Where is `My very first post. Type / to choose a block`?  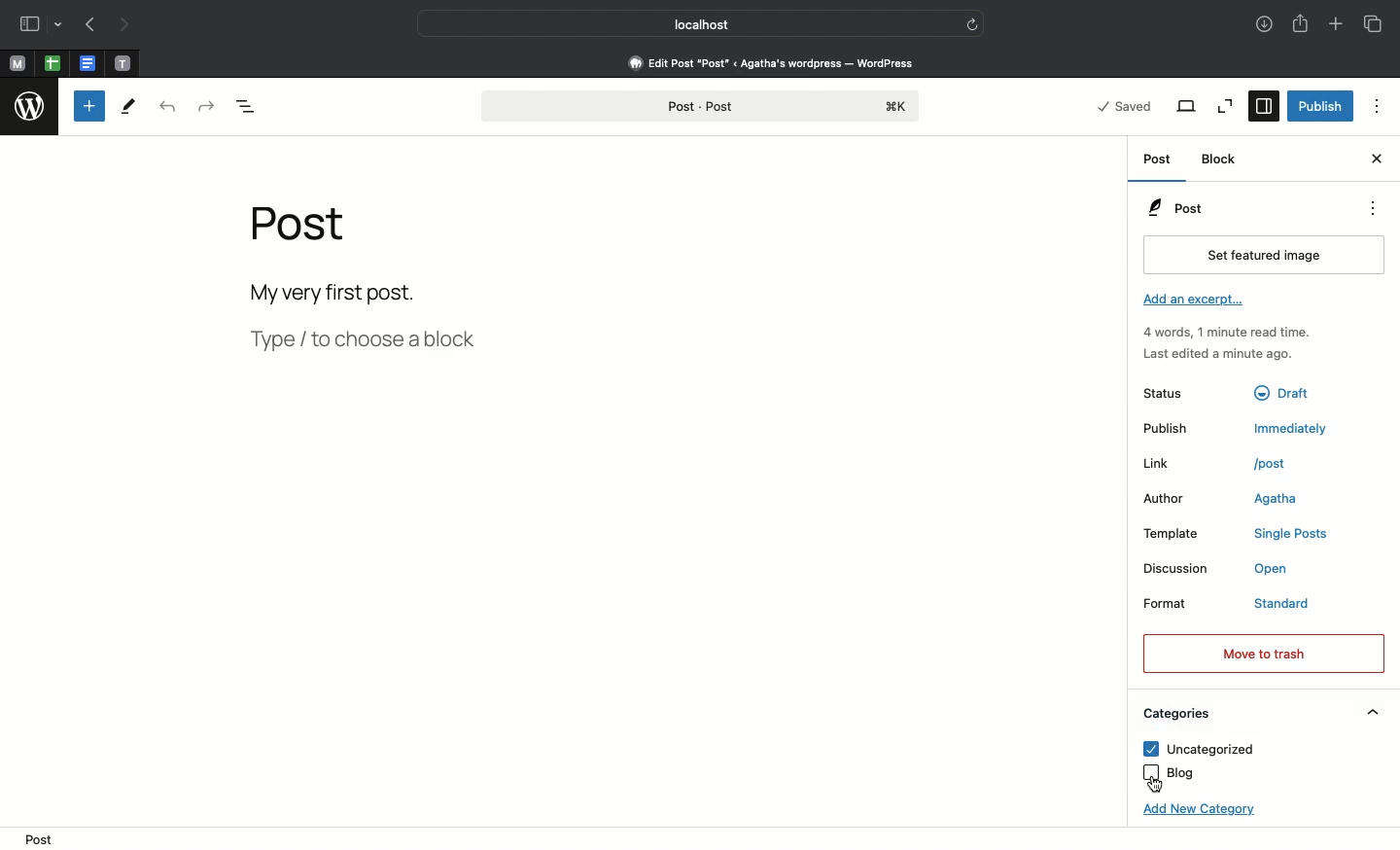
My very first post. Type / to choose a block is located at coordinates (370, 322).